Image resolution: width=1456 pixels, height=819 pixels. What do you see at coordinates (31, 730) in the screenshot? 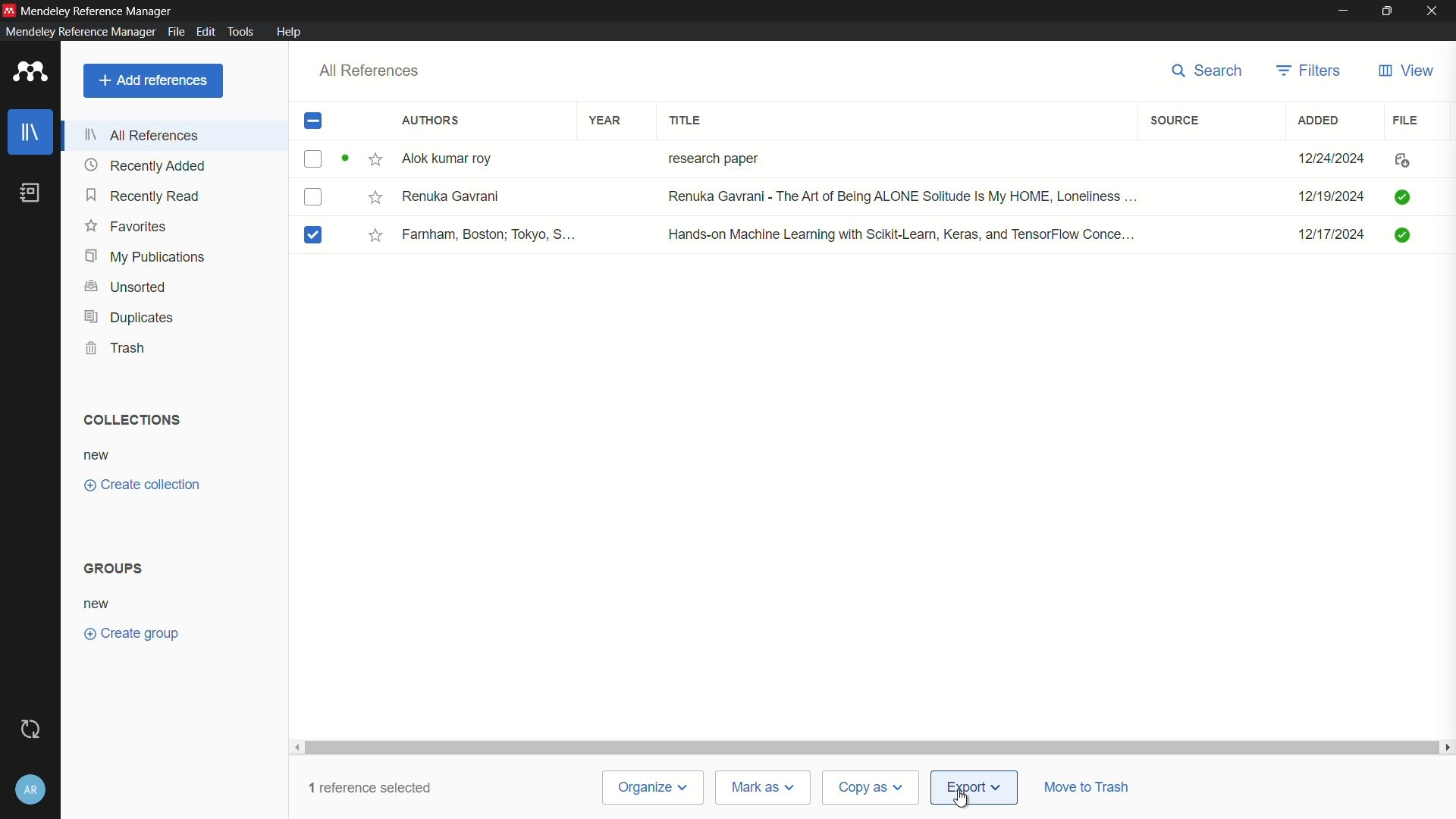
I see `sync` at bounding box center [31, 730].